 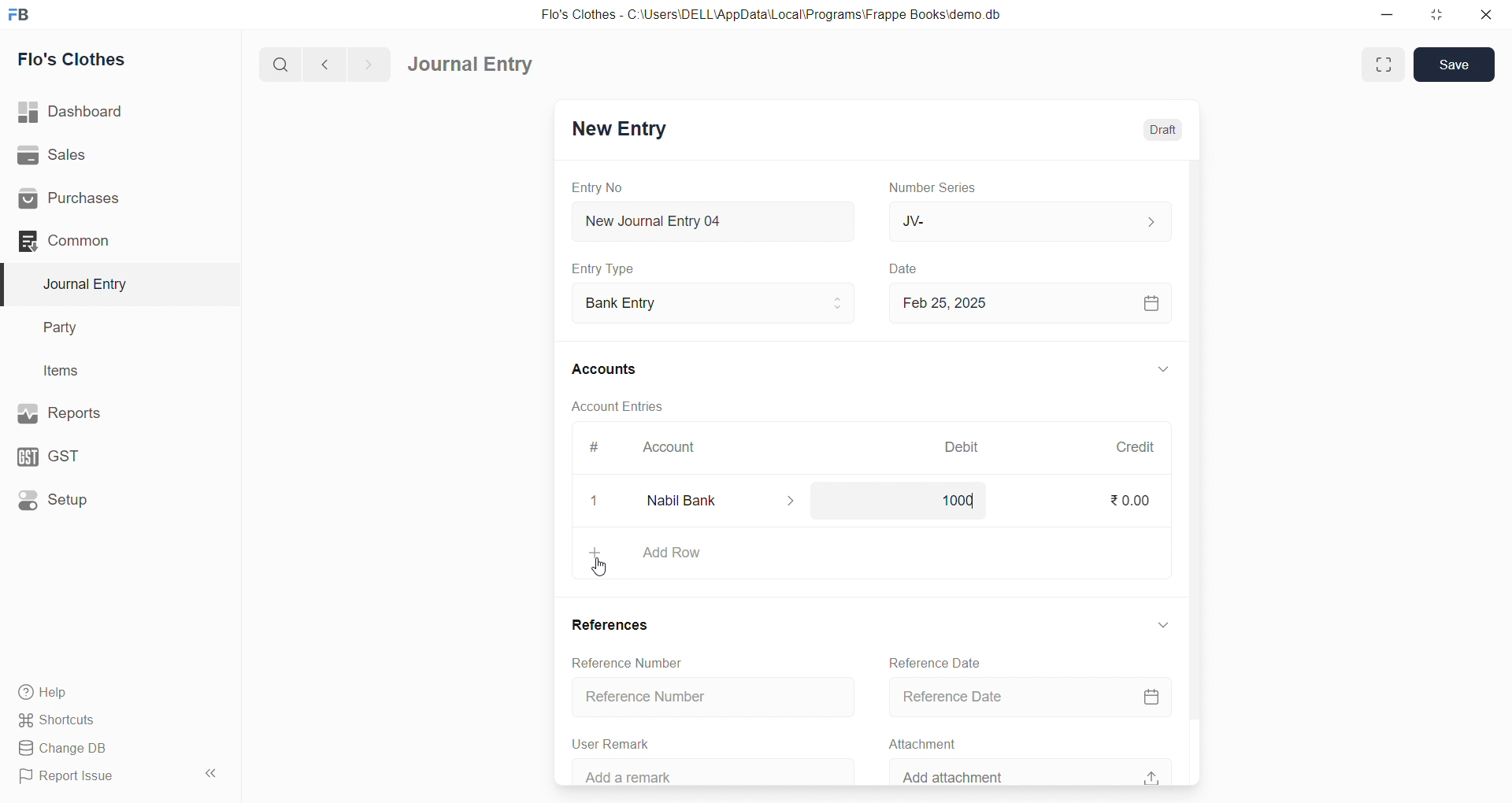 I want to click on Feb 25, 2025, so click(x=1027, y=302).